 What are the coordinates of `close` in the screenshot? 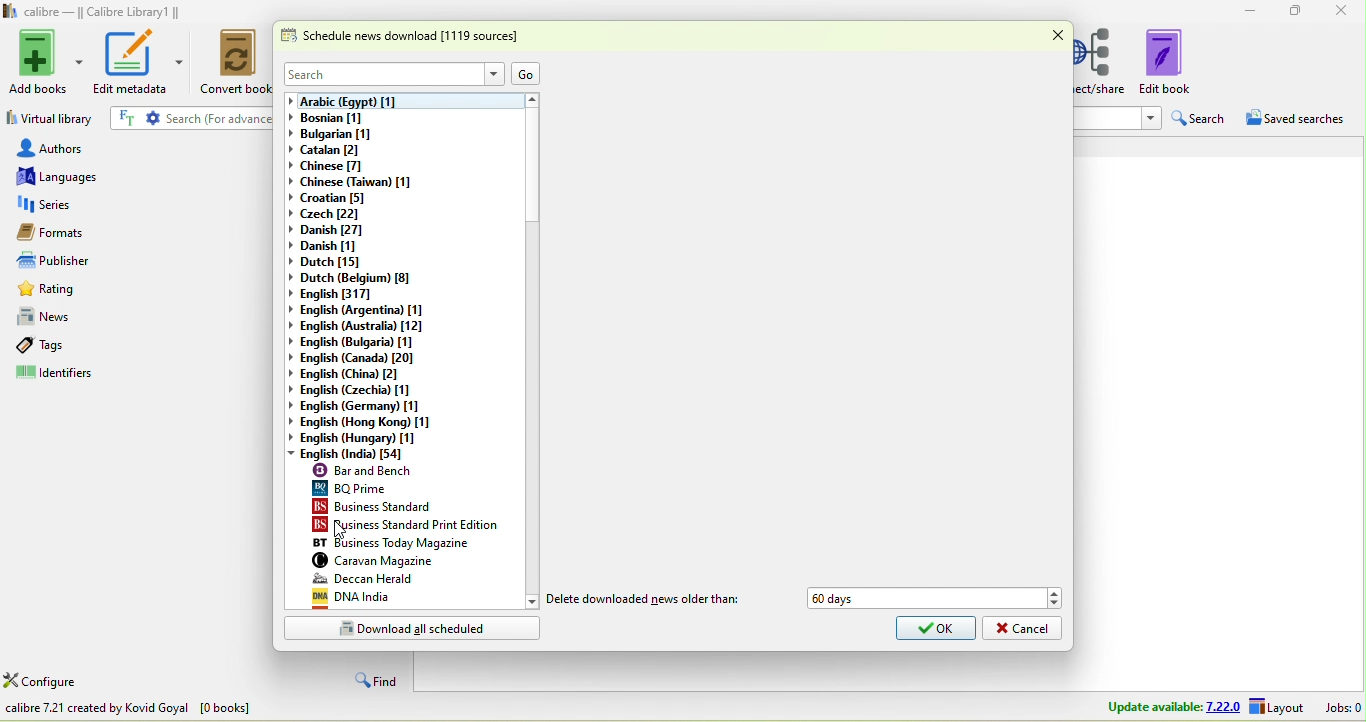 It's located at (1057, 36).